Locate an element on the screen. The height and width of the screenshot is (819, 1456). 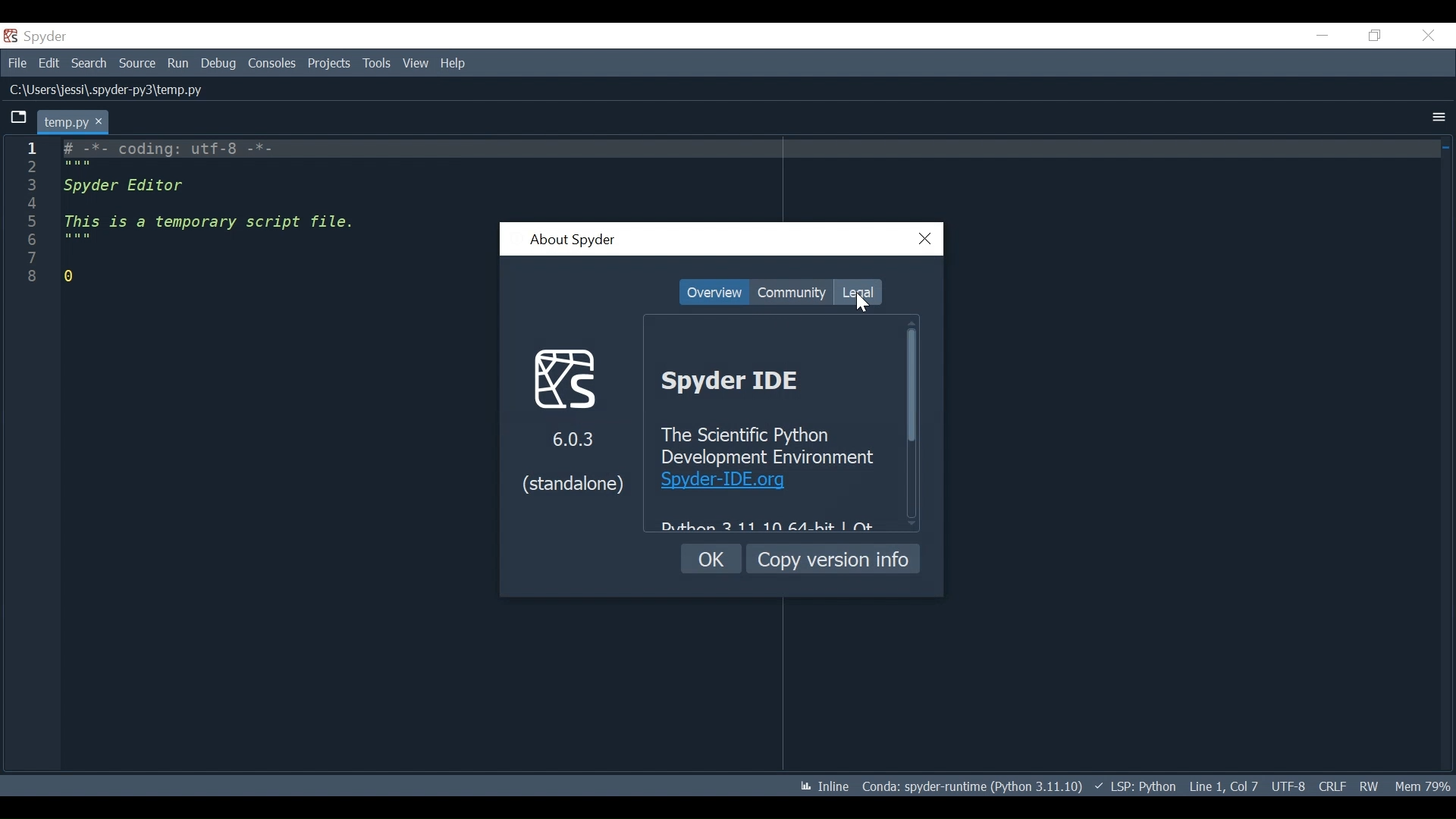
Close is located at coordinates (926, 240).